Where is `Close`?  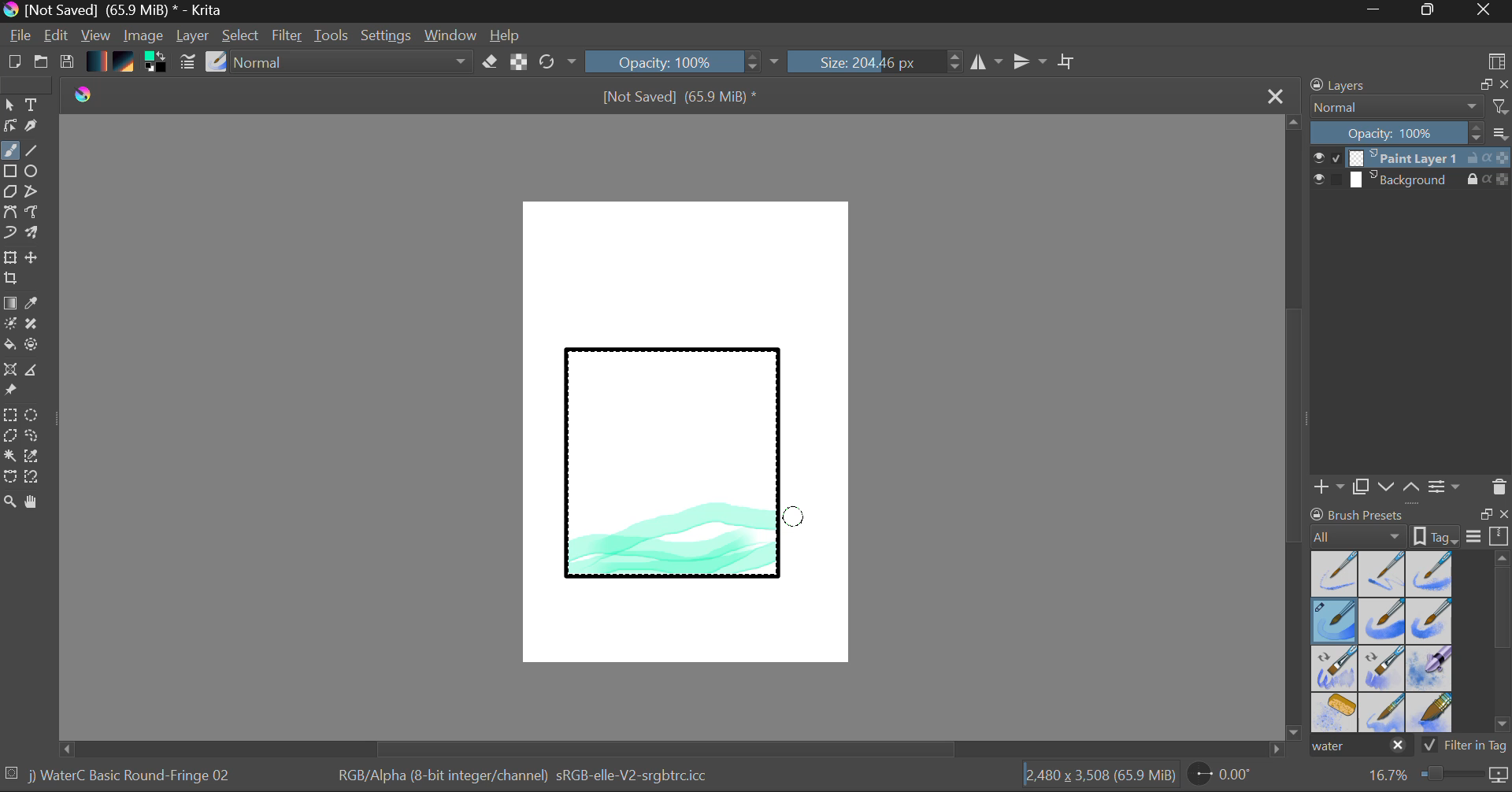
Close is located at coordinates (1485, 11).